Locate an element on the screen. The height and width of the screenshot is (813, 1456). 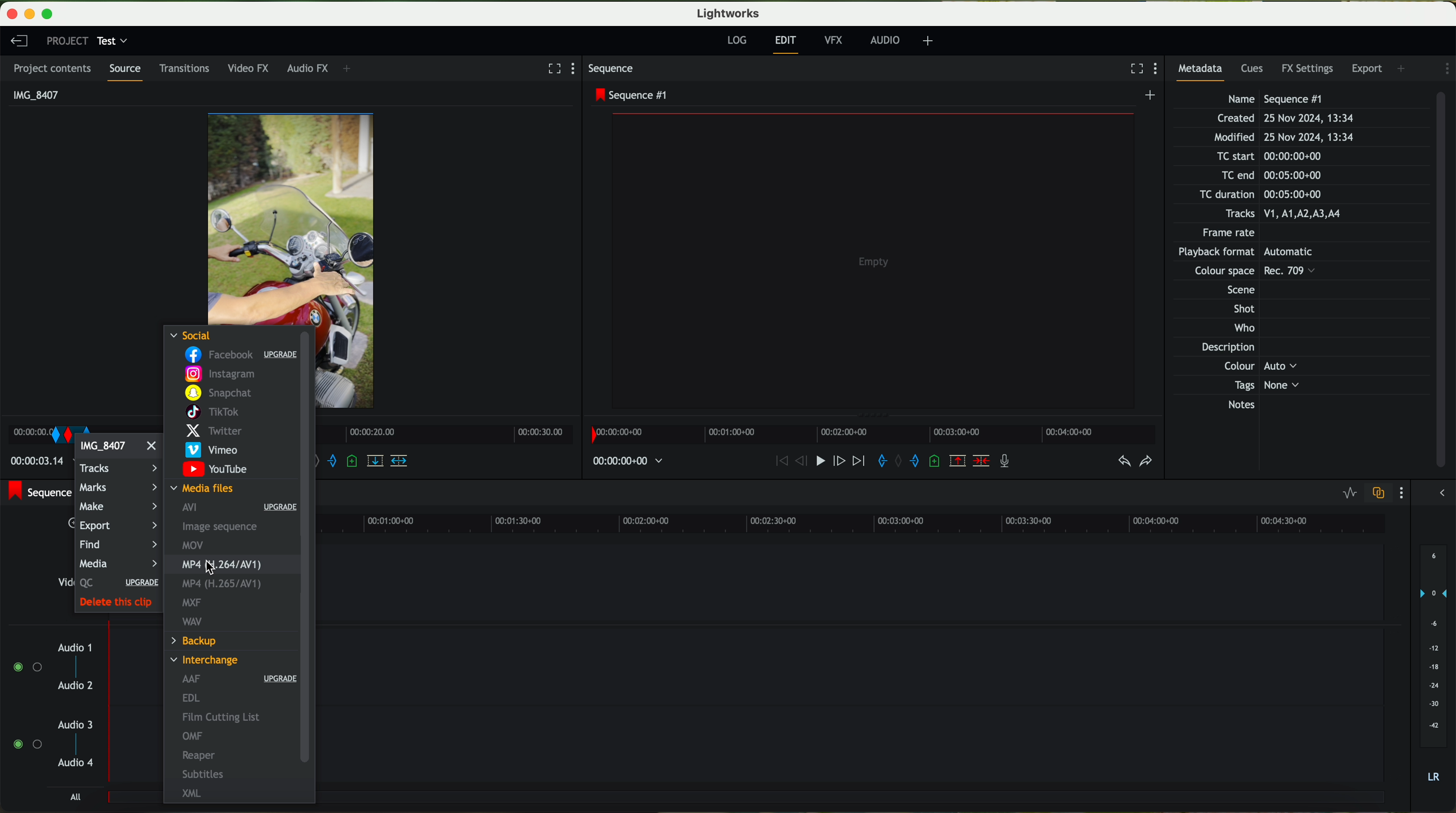
marks is located at coordinates (120, 486).